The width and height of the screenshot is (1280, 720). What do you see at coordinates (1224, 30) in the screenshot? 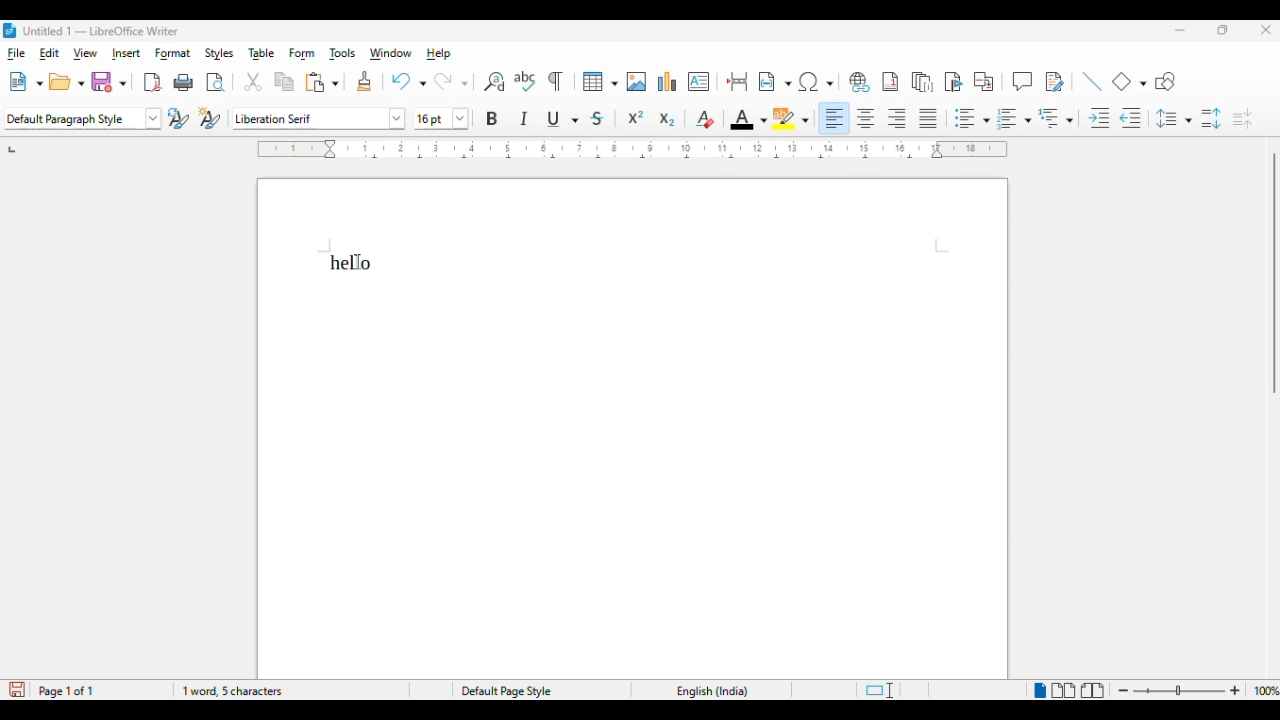
I see `maximize` at bounding box center [1224, 30].